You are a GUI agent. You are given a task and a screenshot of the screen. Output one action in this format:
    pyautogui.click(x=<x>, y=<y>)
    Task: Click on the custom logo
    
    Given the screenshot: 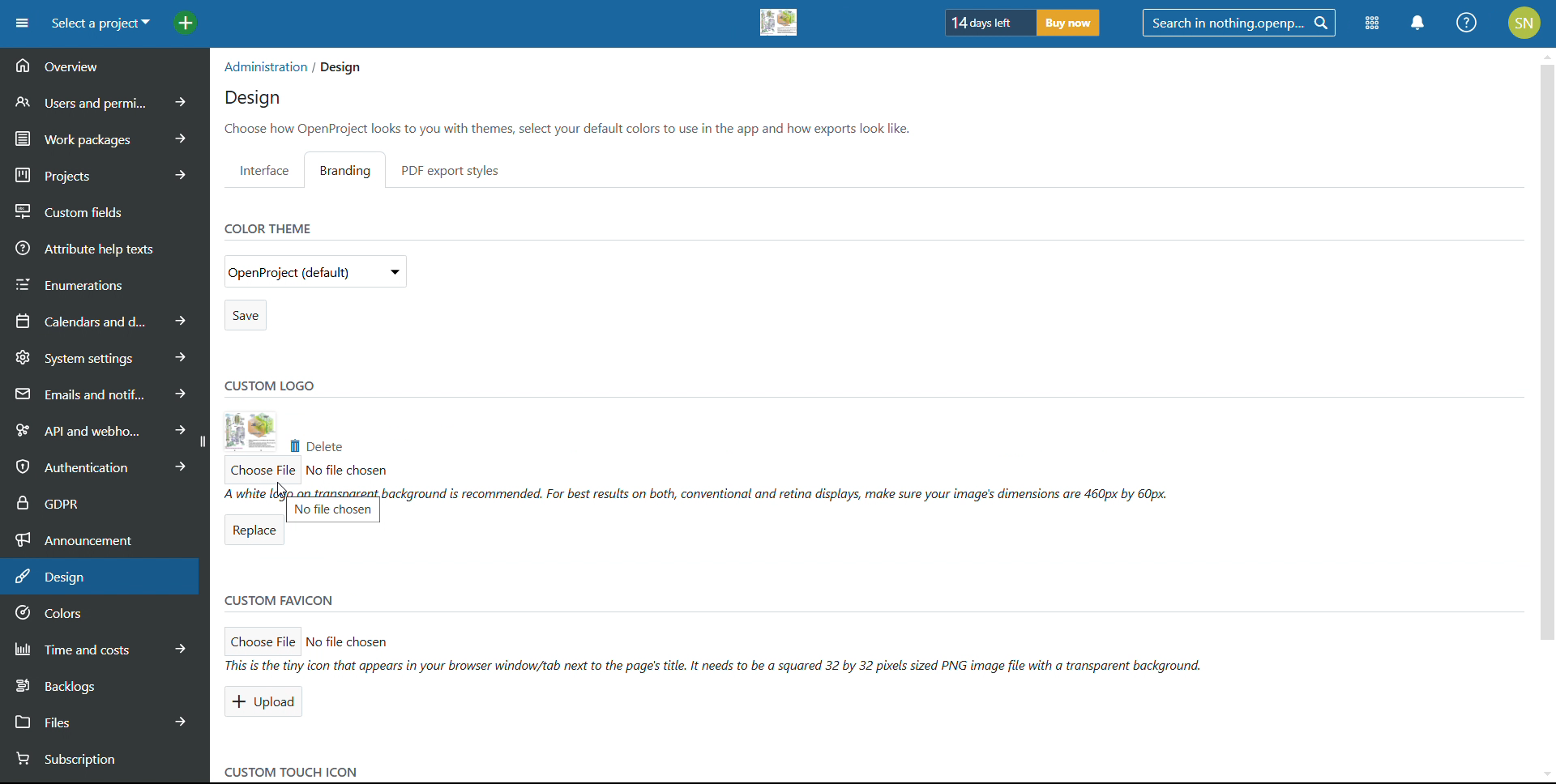 What is the action you would take?
    pyautogui.click(x=270, y=384)
    